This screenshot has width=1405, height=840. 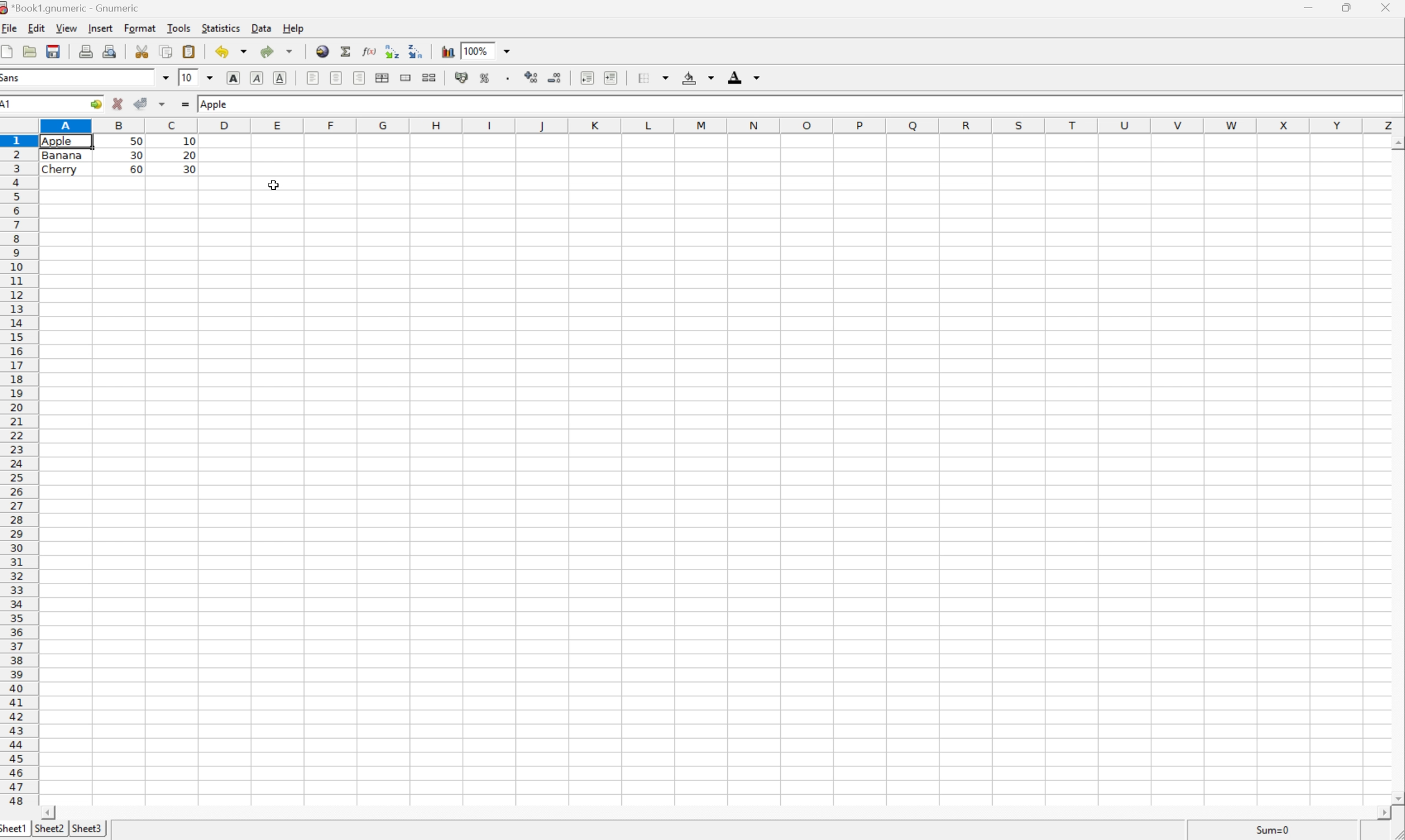 What do you see at coordinates (119, 155) in the screenshot?
I see `tabular data` at bounding box center [119, 155].